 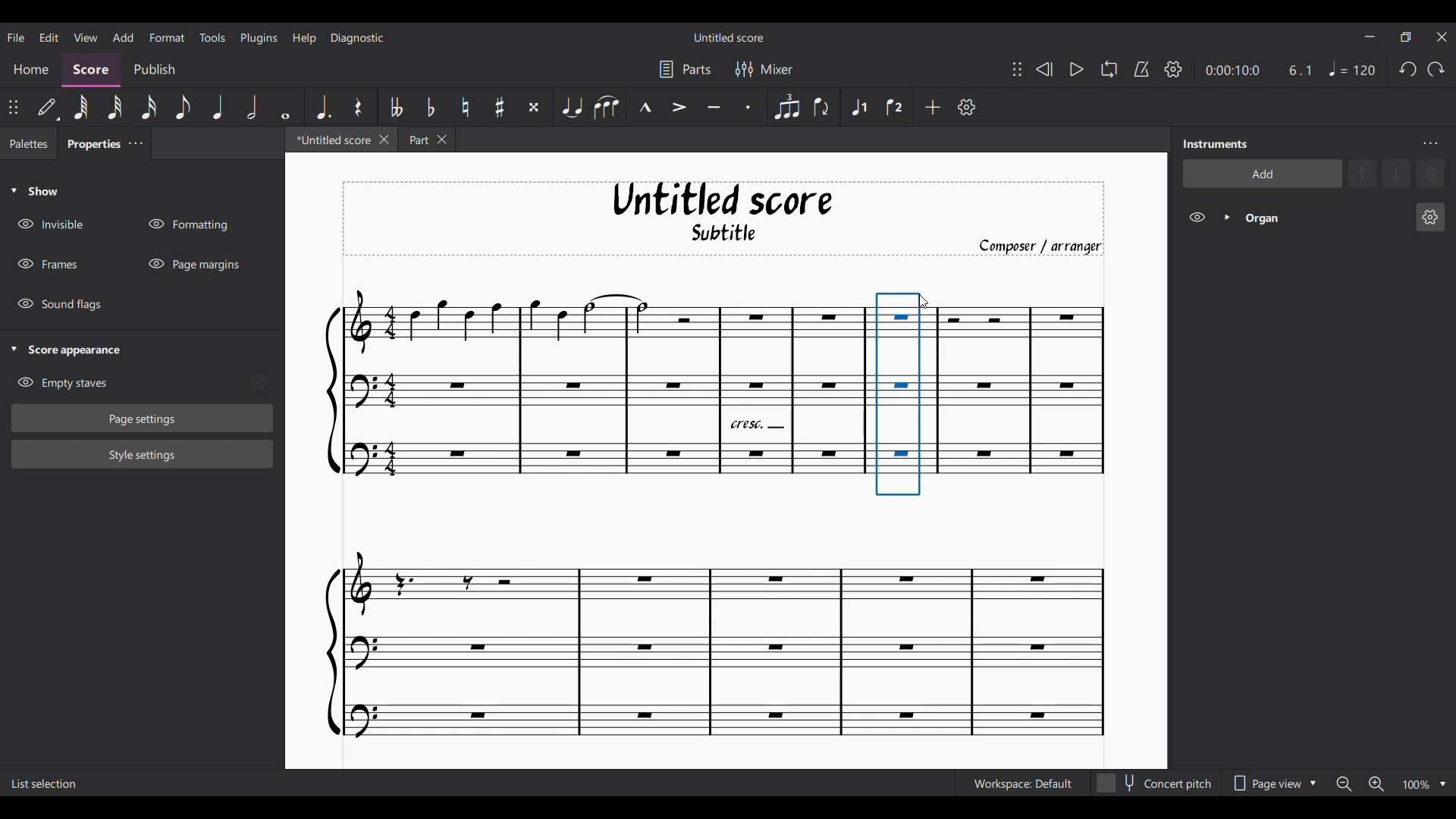 What do you see at coordinates (259, 38) in the screenshot?
I see `Plugins menu` at bounding box center [259, 38].